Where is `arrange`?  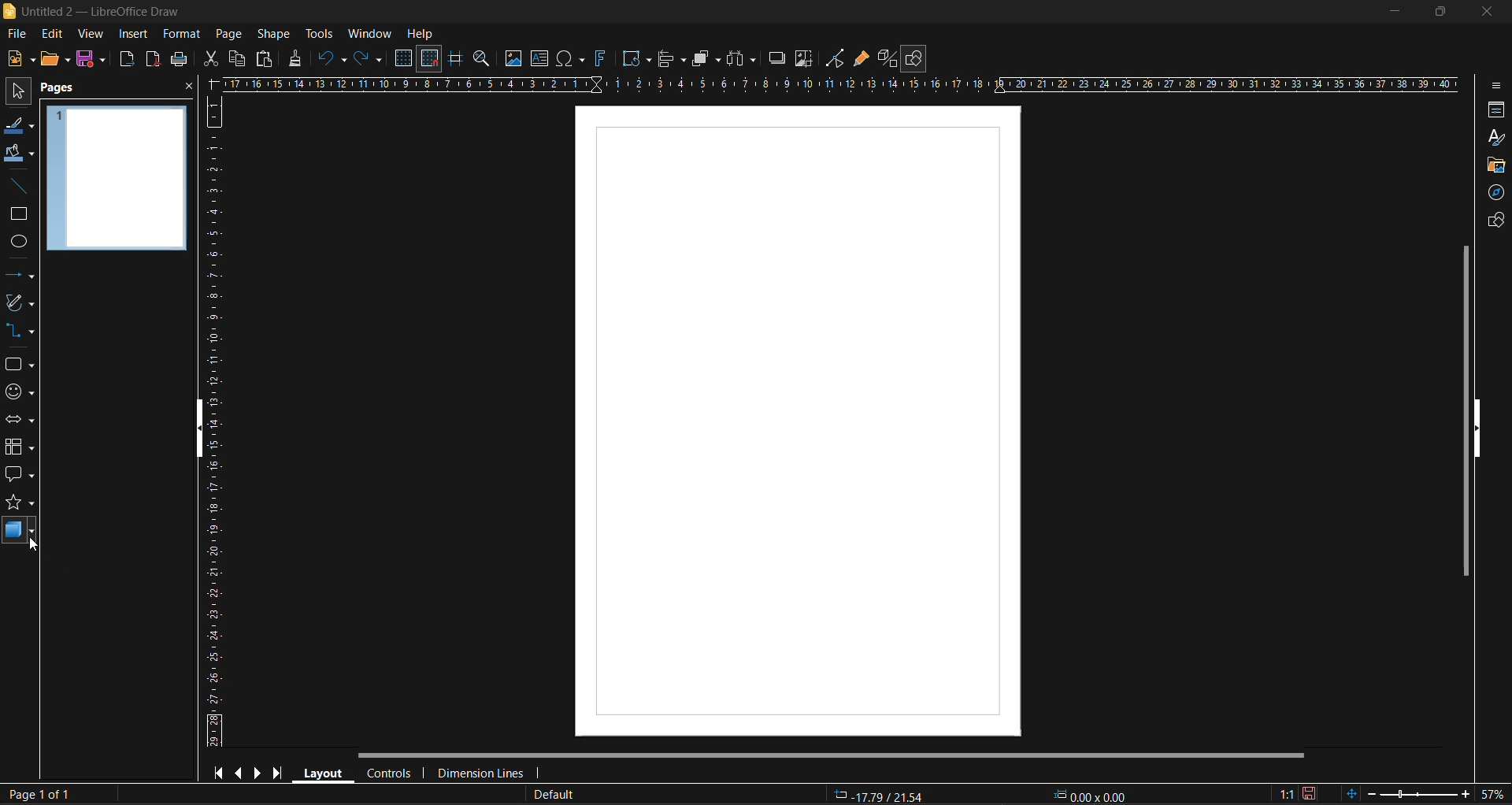 arrange is located at coordinates (704, 58).